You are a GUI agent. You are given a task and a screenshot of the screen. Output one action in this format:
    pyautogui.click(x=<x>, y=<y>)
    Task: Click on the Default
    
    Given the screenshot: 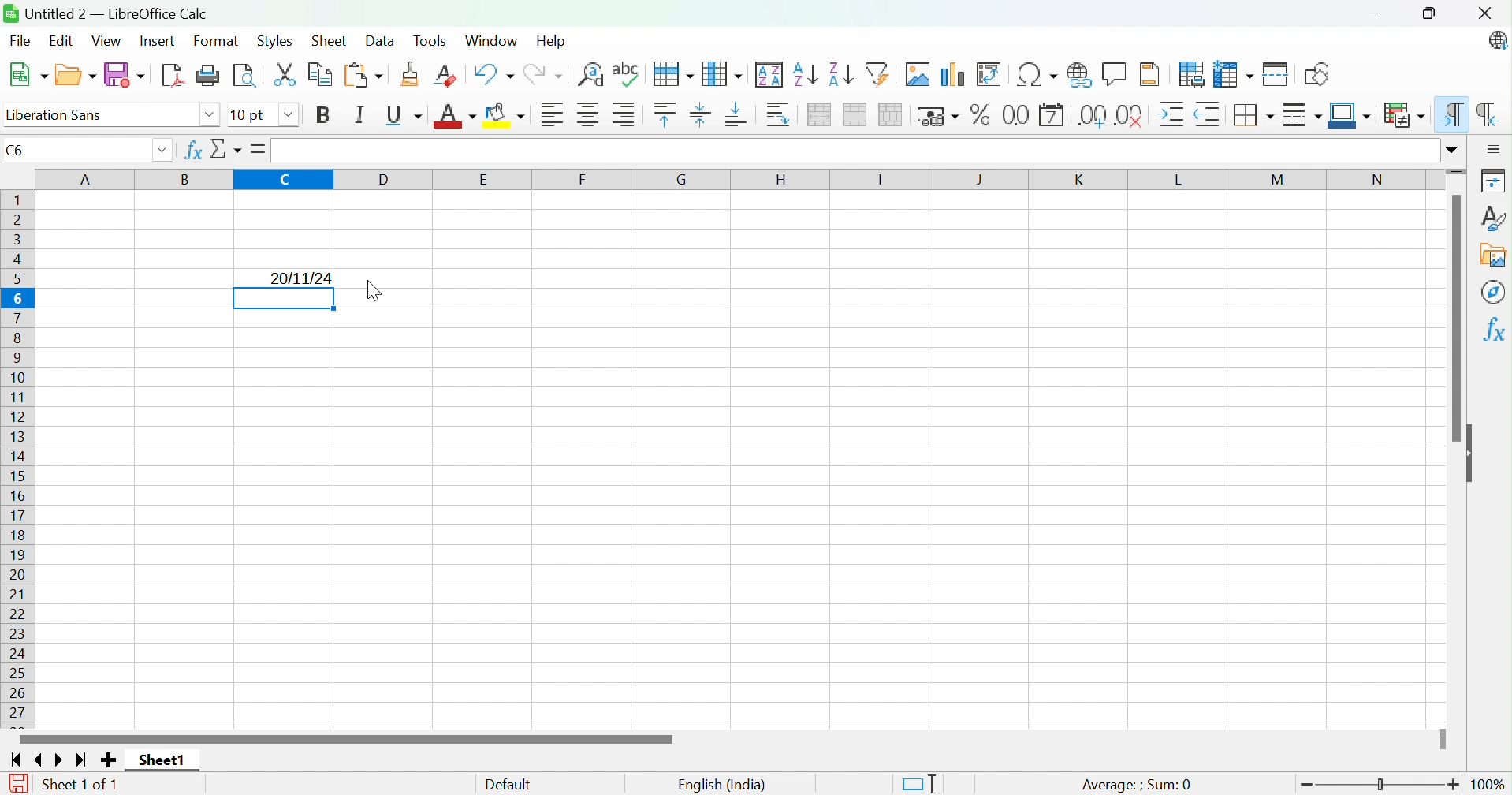 What is the action you would take?
    pyautogui.click(x=509, y=785)
    